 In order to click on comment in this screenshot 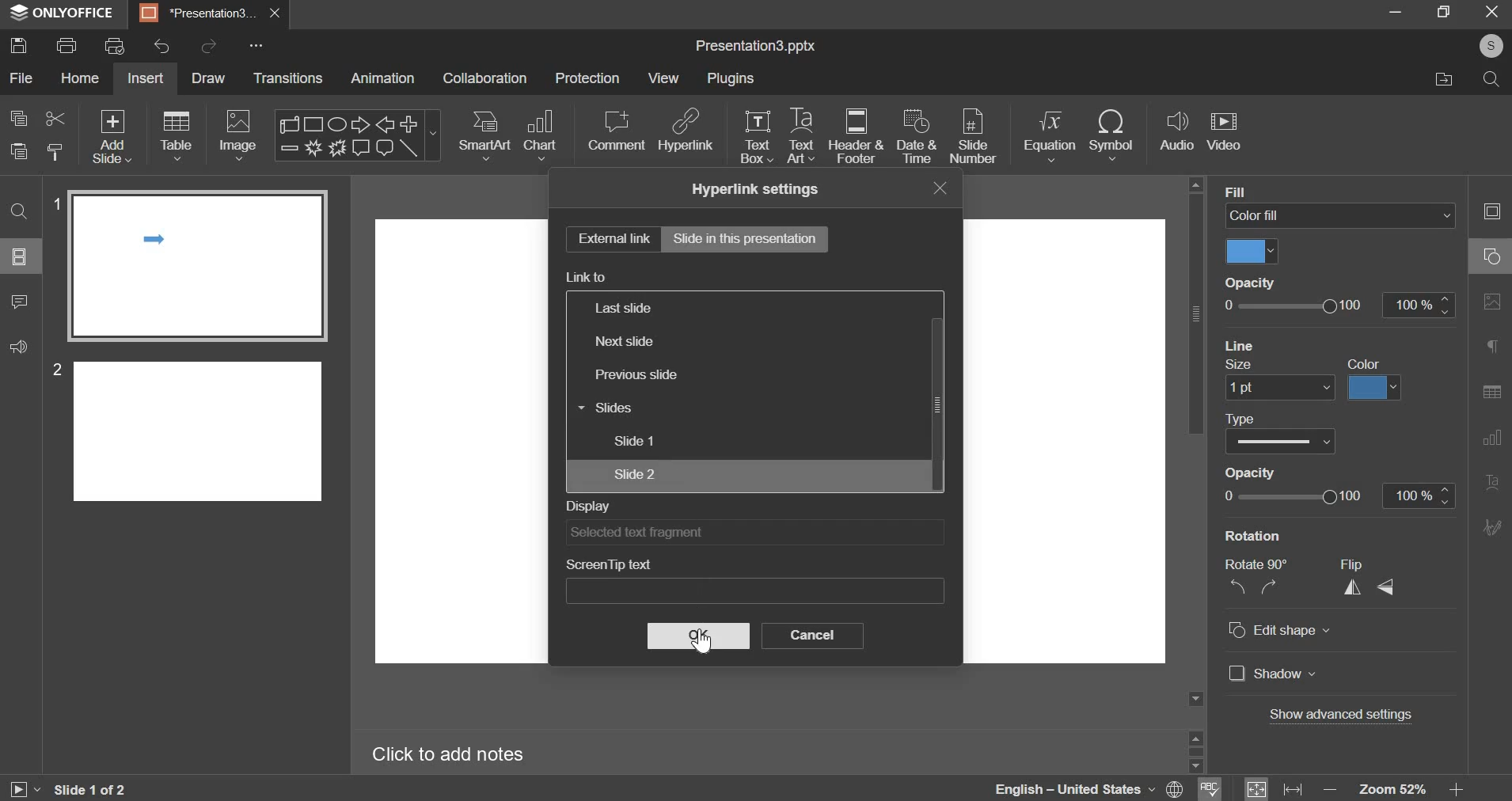, I will do `click(21, 302)`.